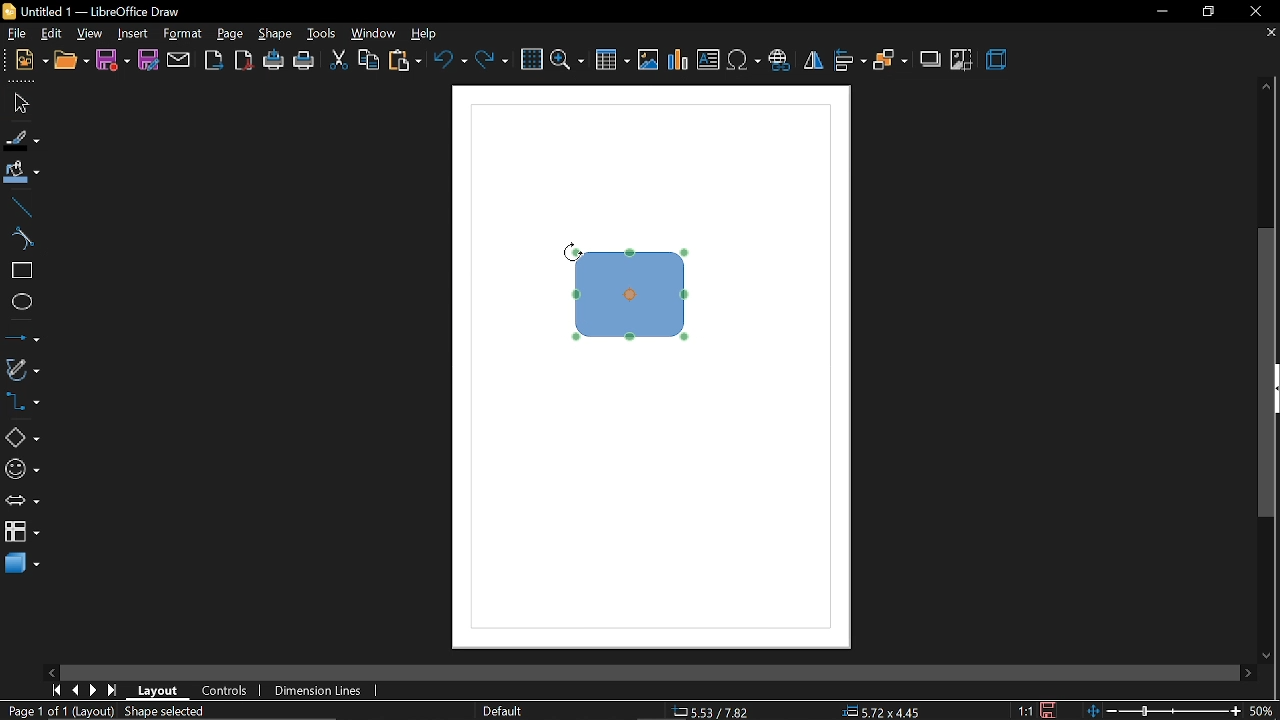  Describe the element at coordinates (1263, 709) in the screenshot. I see `50%` at that location.